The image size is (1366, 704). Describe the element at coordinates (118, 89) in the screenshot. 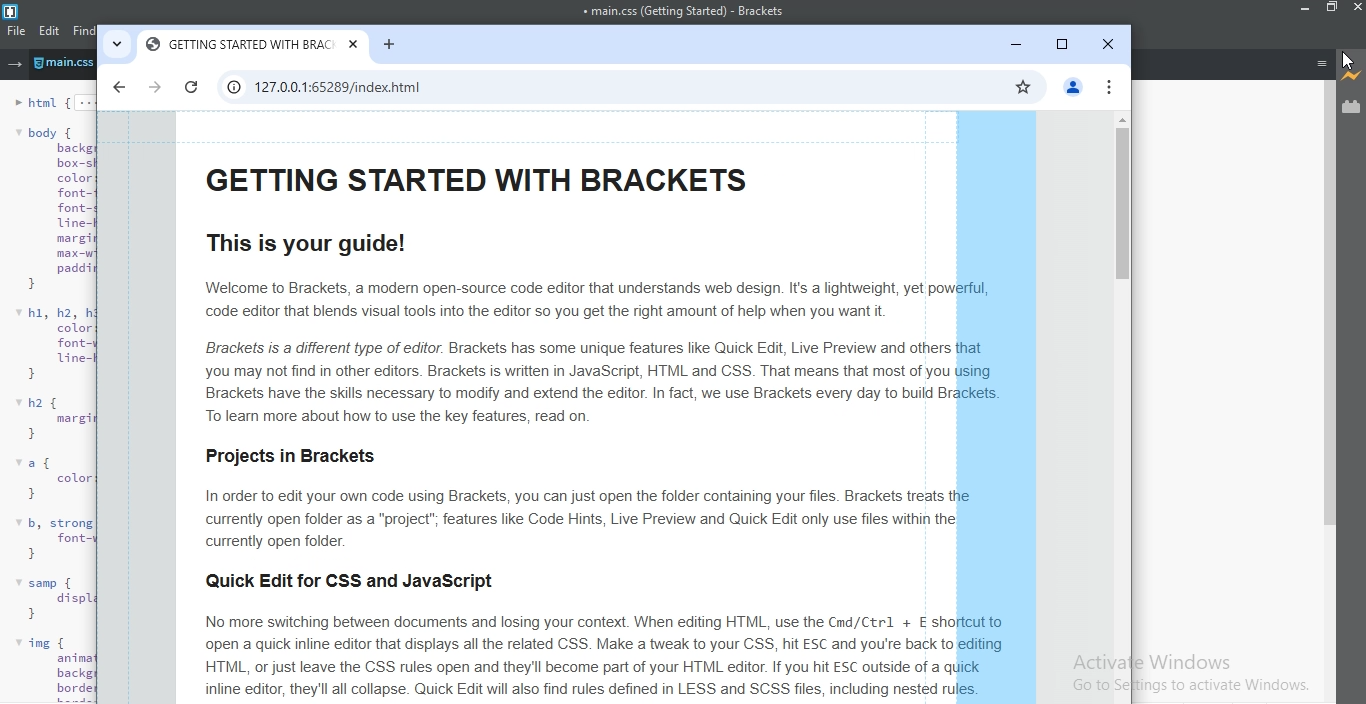

I see `previous page` at that location.